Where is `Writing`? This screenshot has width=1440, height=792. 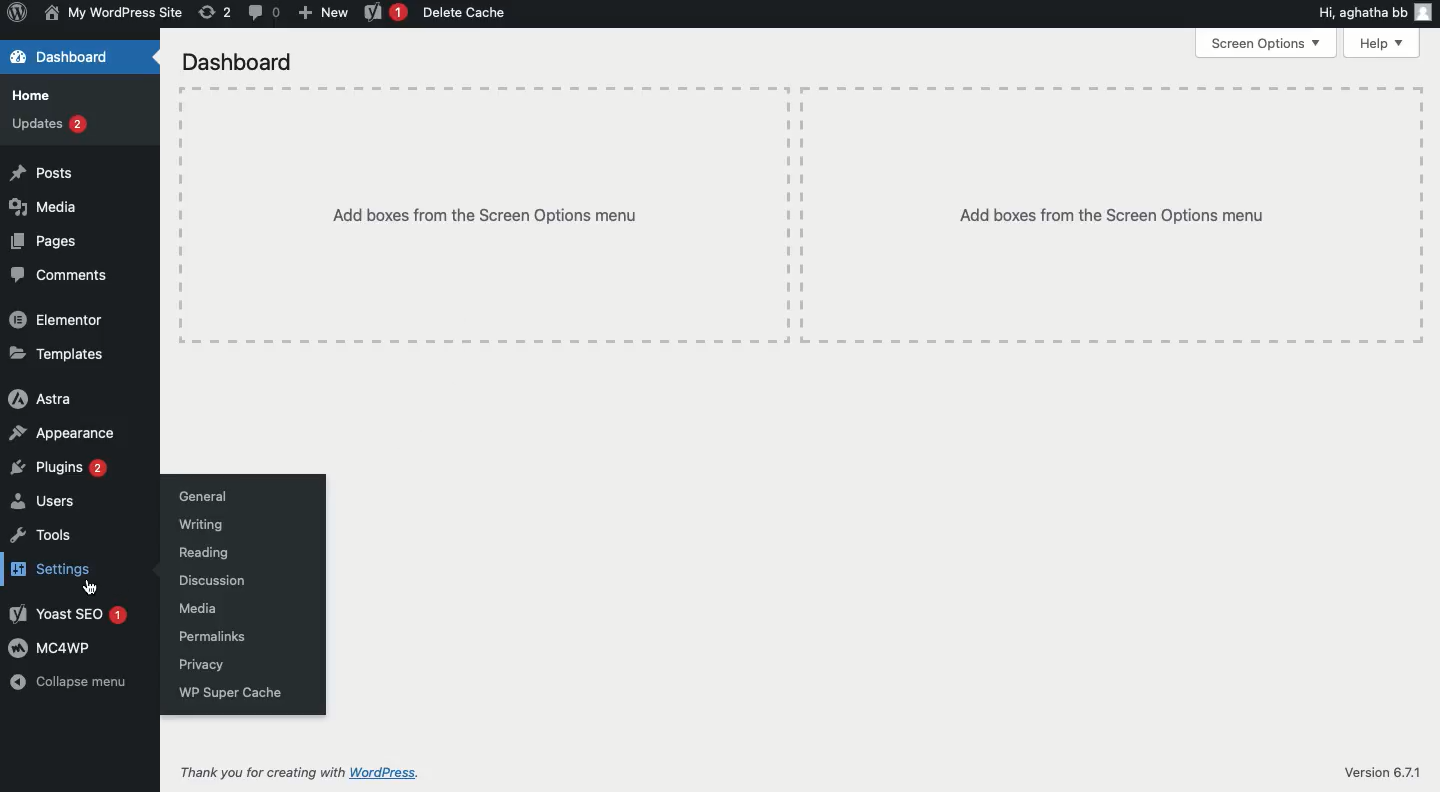
Writing is located at coordinates (204, 524).